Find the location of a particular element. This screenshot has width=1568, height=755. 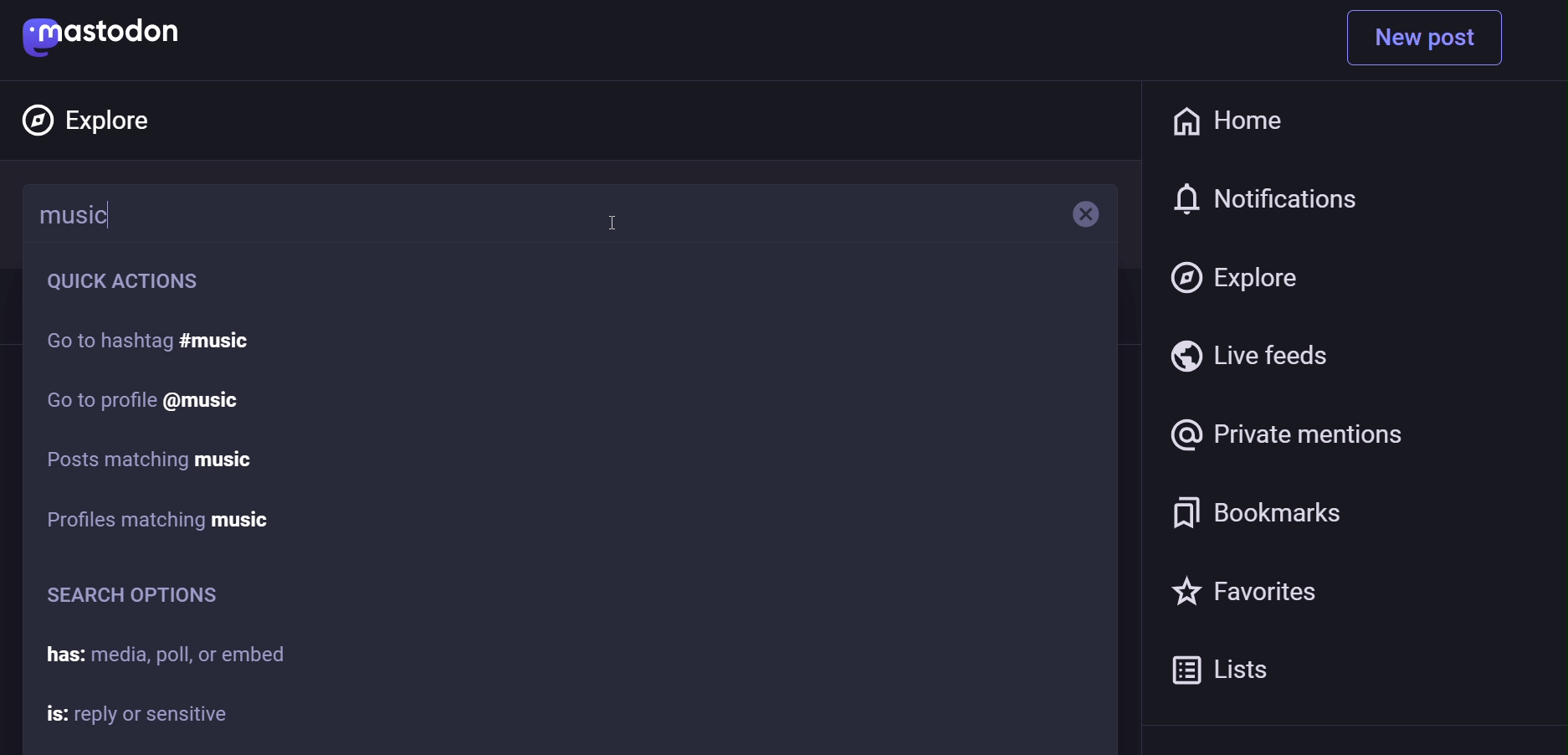

post matching is located at coordinates (144, 461).